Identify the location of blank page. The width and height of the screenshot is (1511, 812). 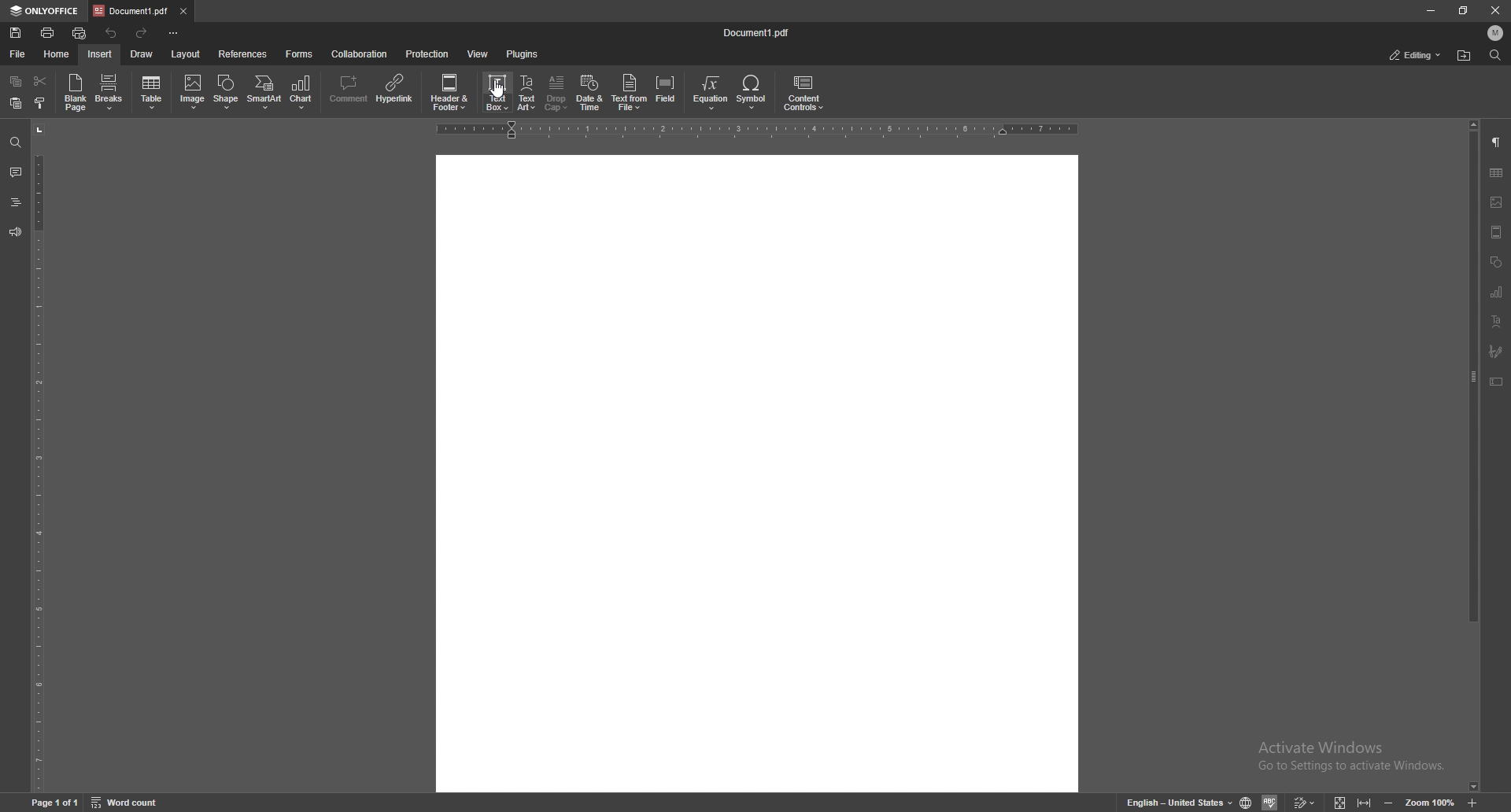
(75, 92).